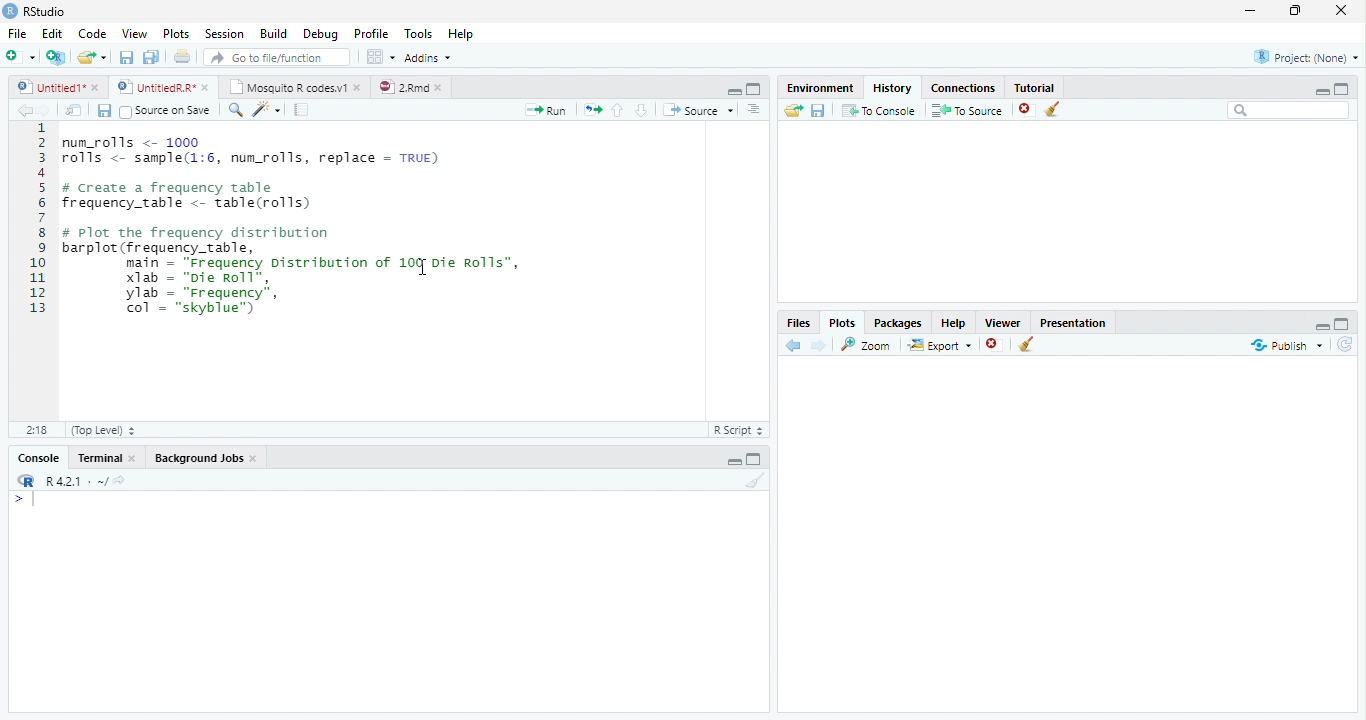 The height and width of the screenshot is (720, 1366). I want to click on Full Height, so click(1344, 89).